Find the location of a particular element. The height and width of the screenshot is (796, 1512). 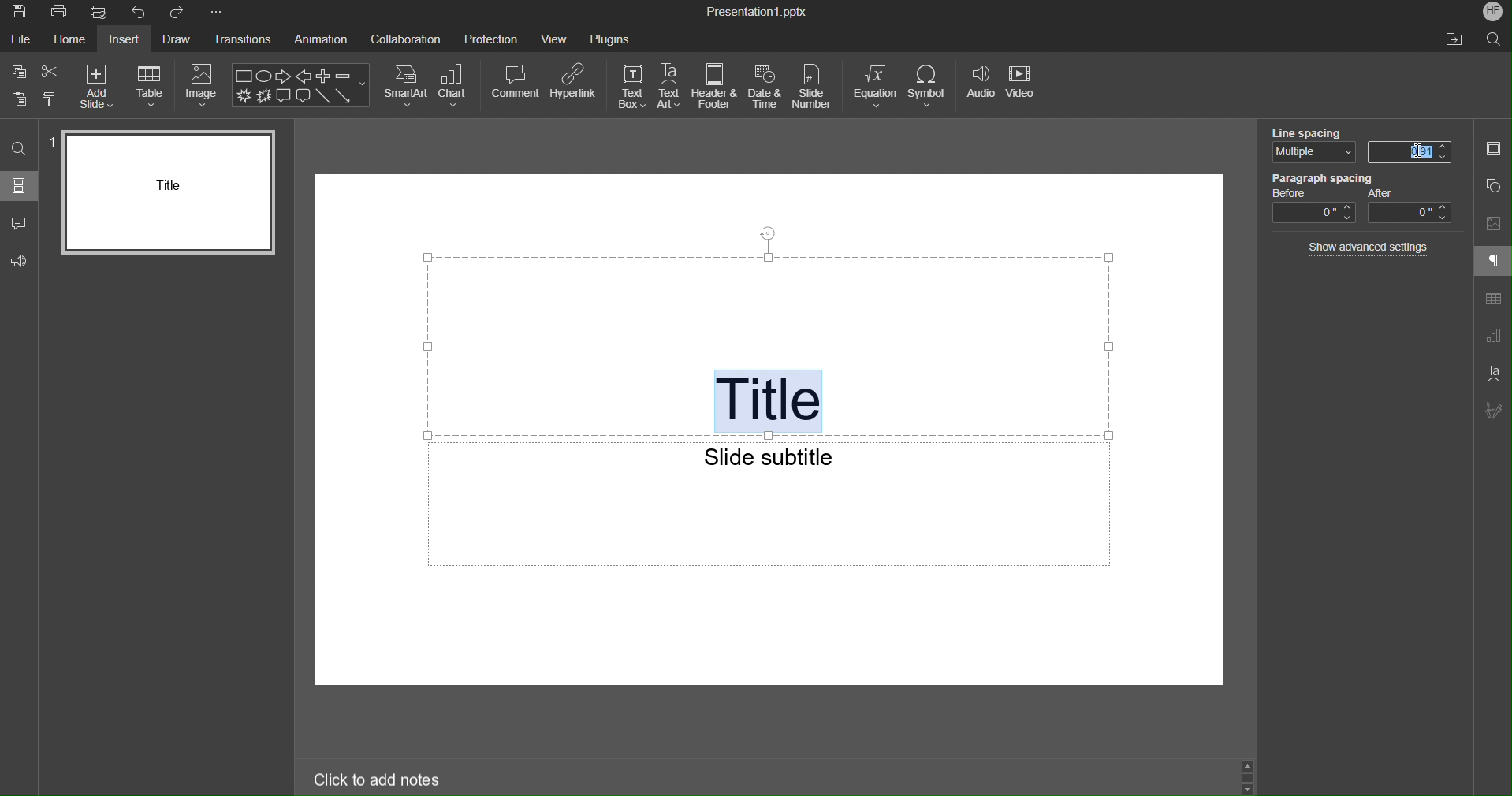

SmartArt is located at coordinates (405, 87).